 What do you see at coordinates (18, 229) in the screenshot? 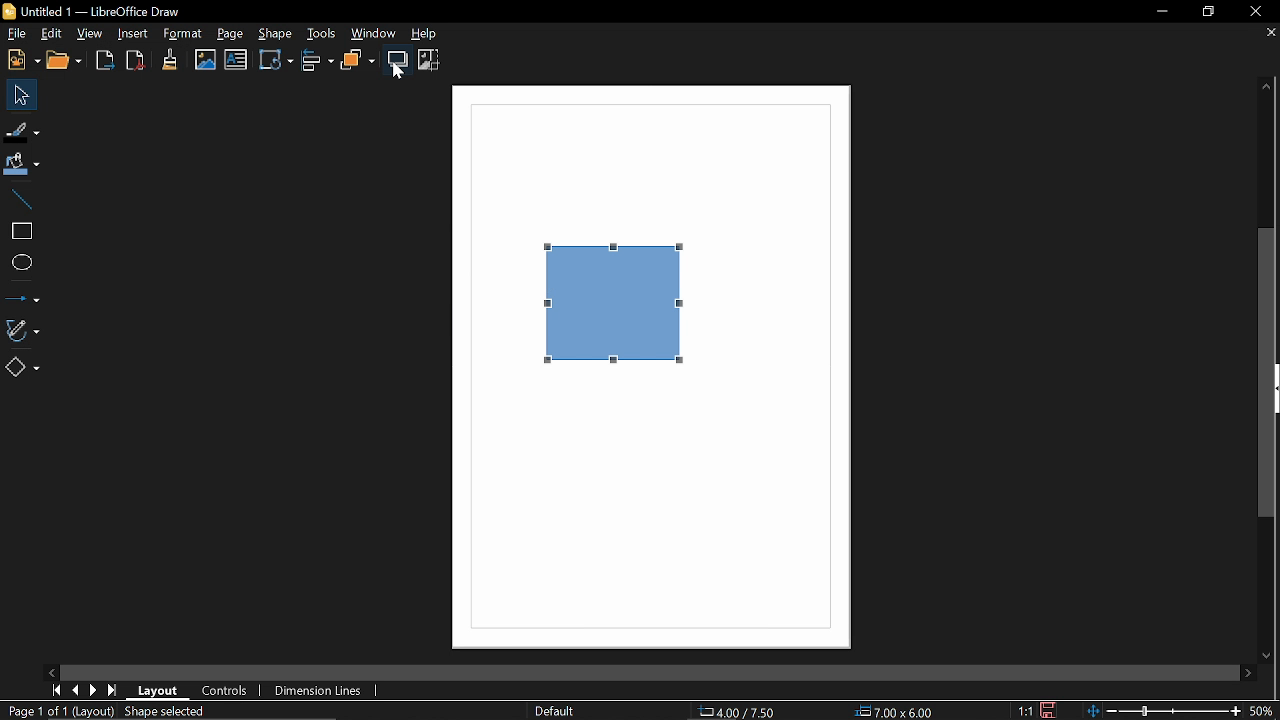
I see `Rectangle` at bounding box center [18, 229].